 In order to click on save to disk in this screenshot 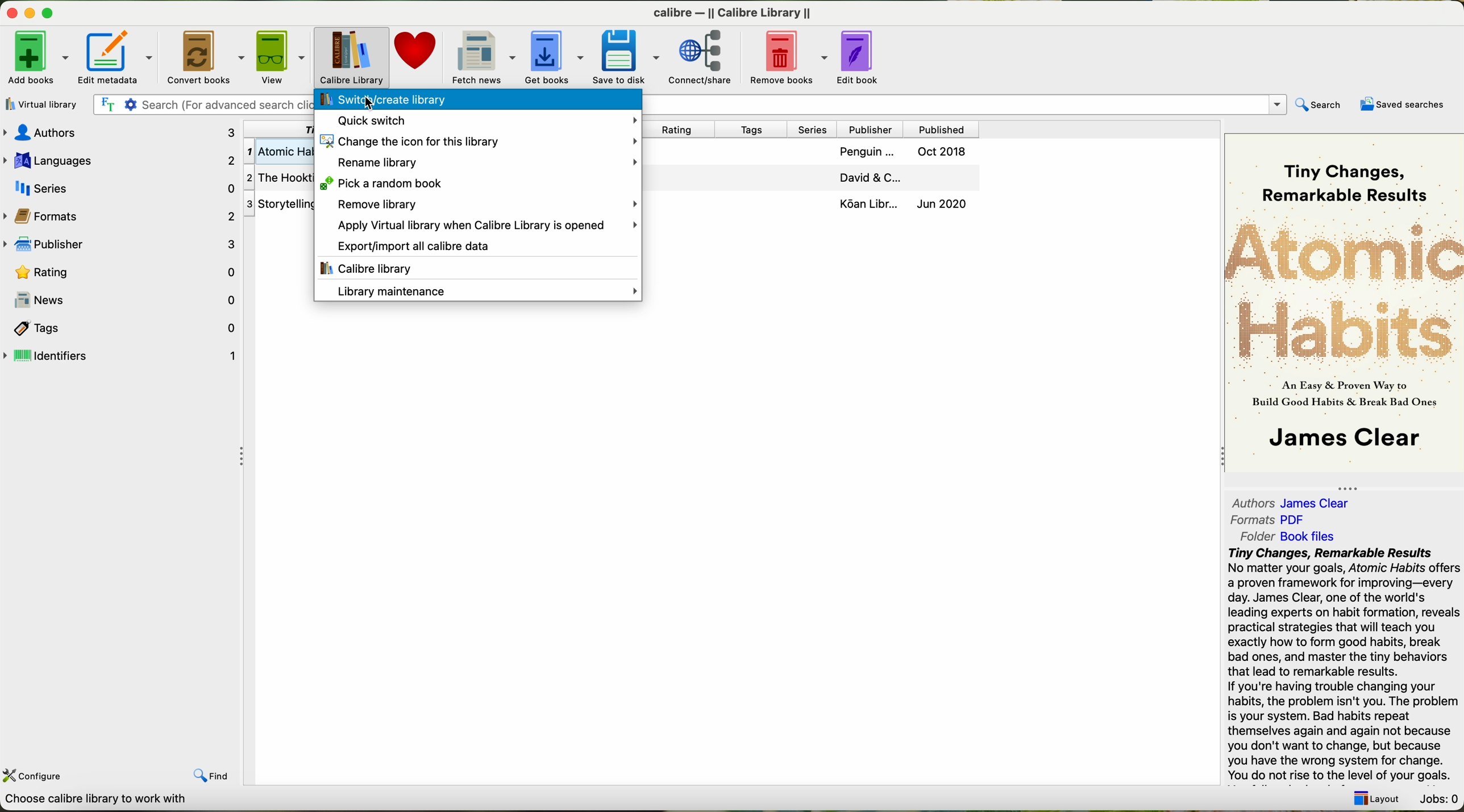, I will do `click(629, 56)`.